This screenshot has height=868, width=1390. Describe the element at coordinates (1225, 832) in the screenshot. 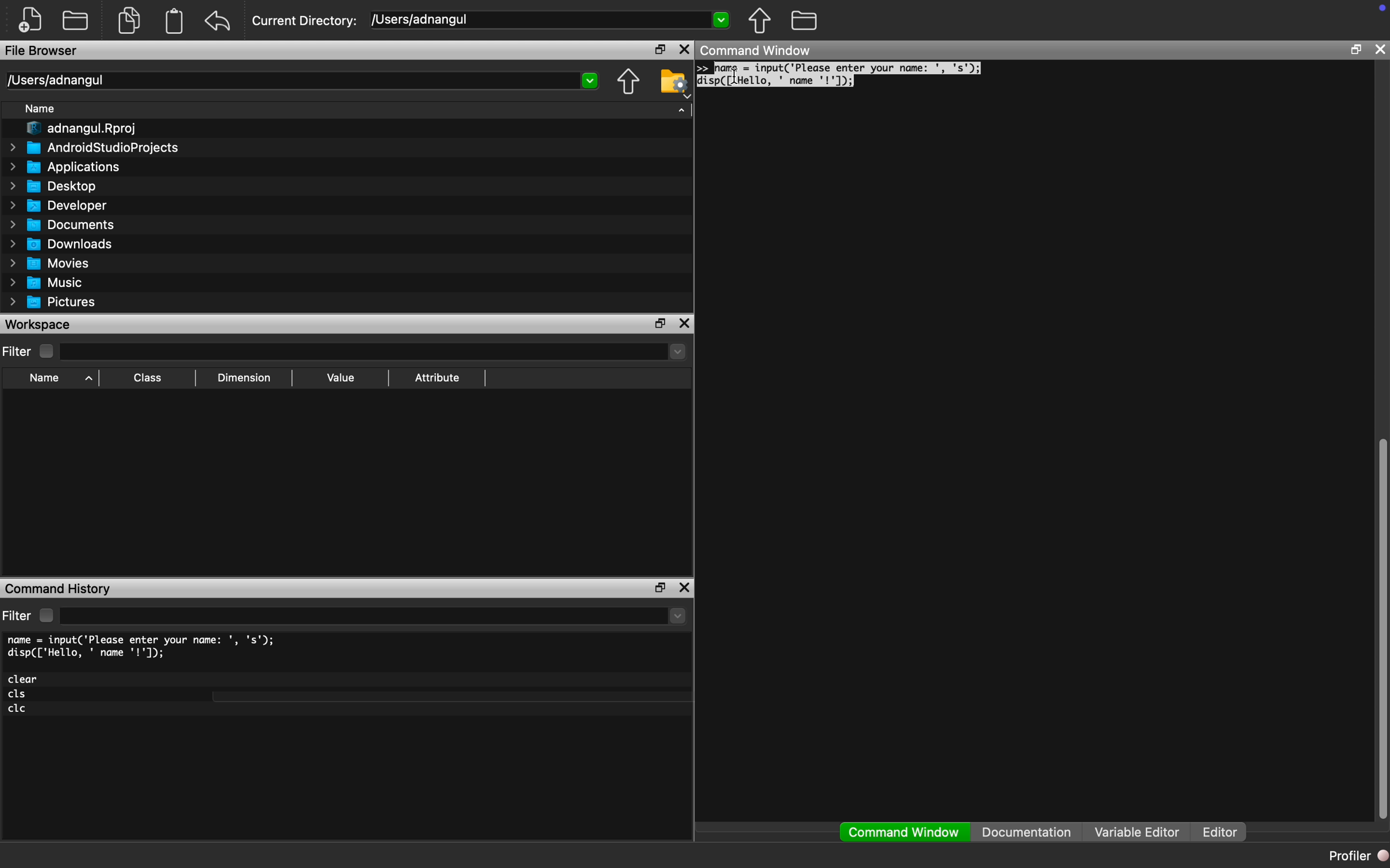

I see `Editor` at that location.